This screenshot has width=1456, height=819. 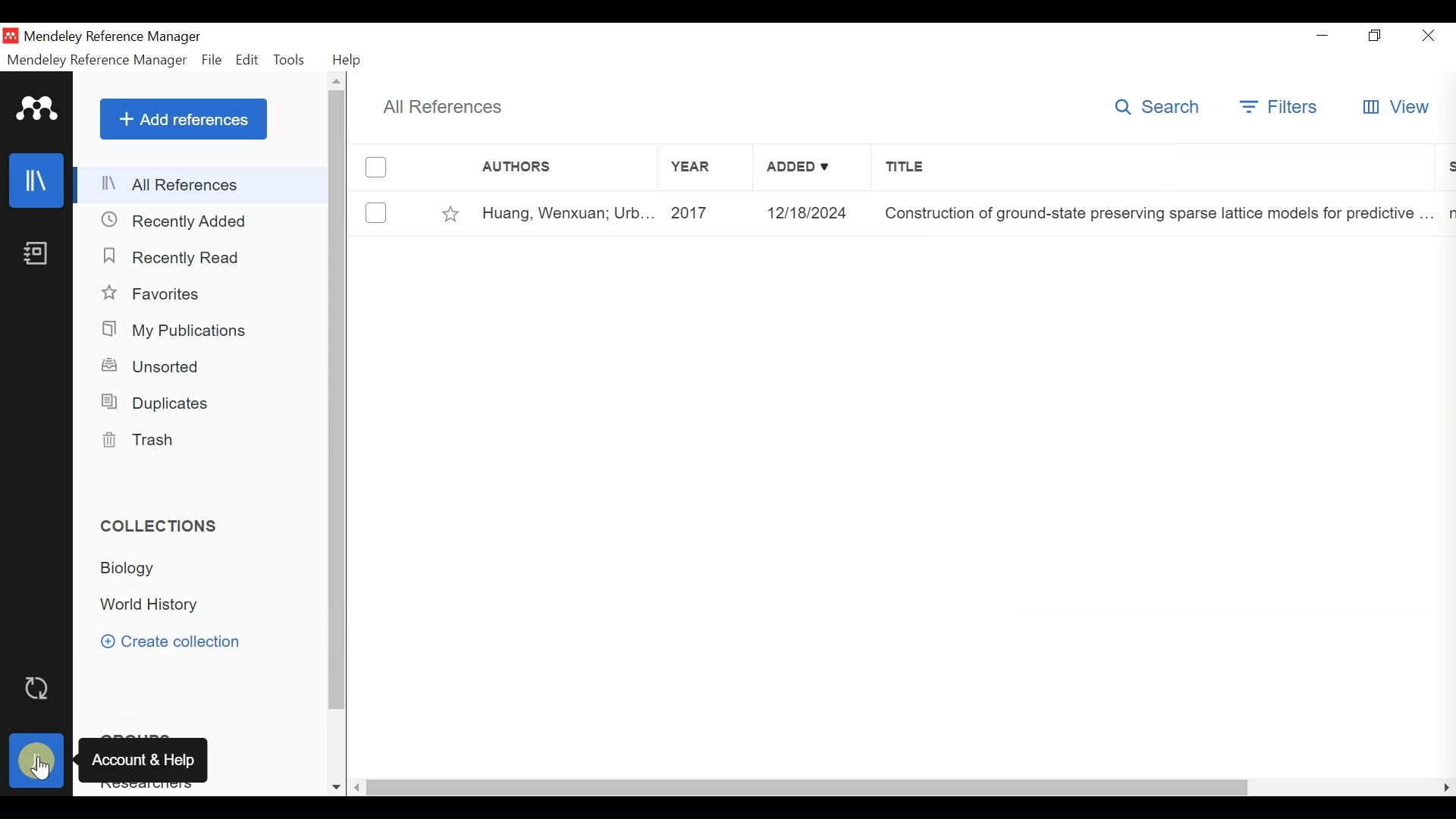 What do you see at coordinates (1278, 108) in the screenshot?
I see `Filters` at bounding box center [1278, 108].